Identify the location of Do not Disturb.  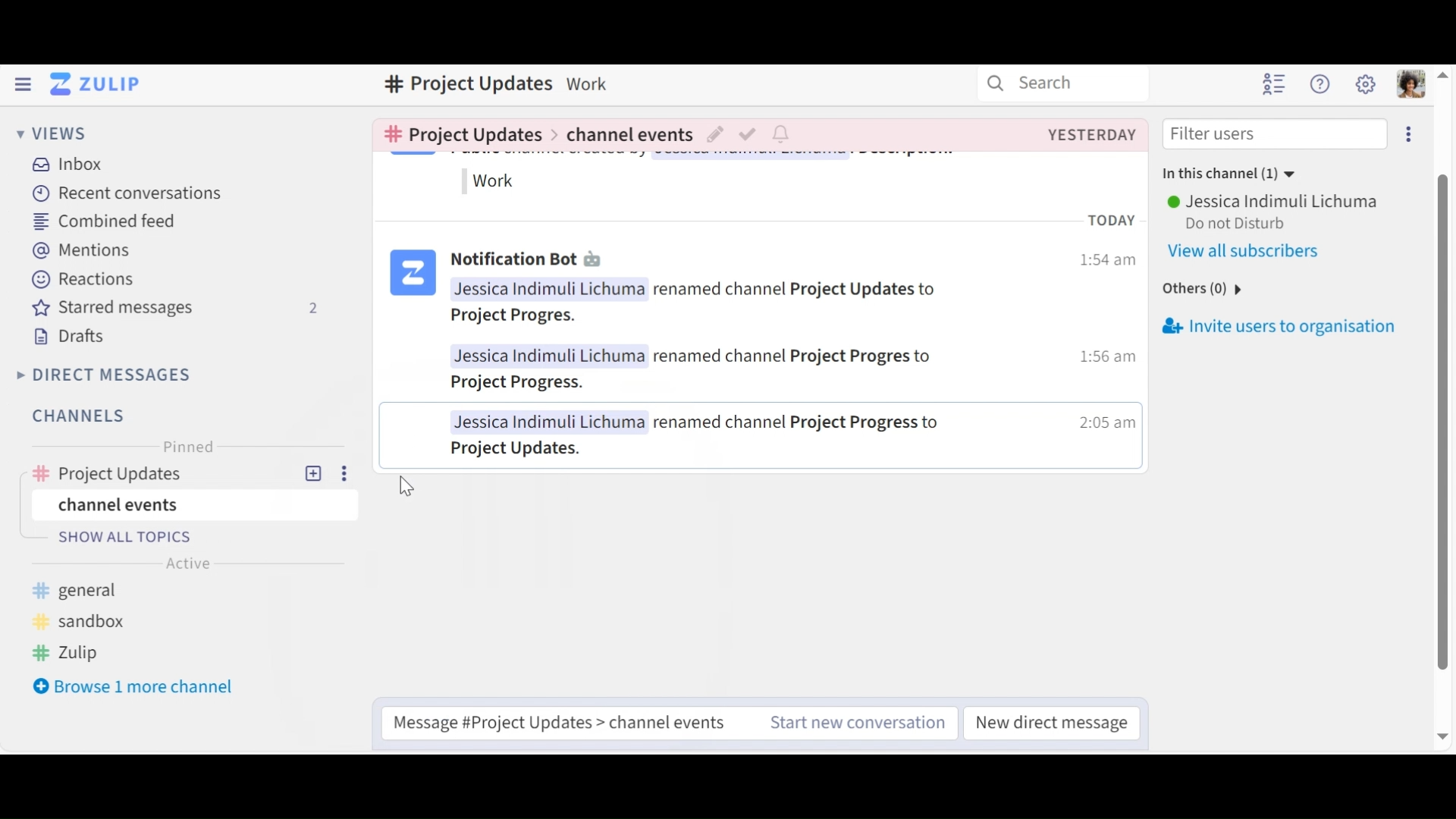
(1244, 223).